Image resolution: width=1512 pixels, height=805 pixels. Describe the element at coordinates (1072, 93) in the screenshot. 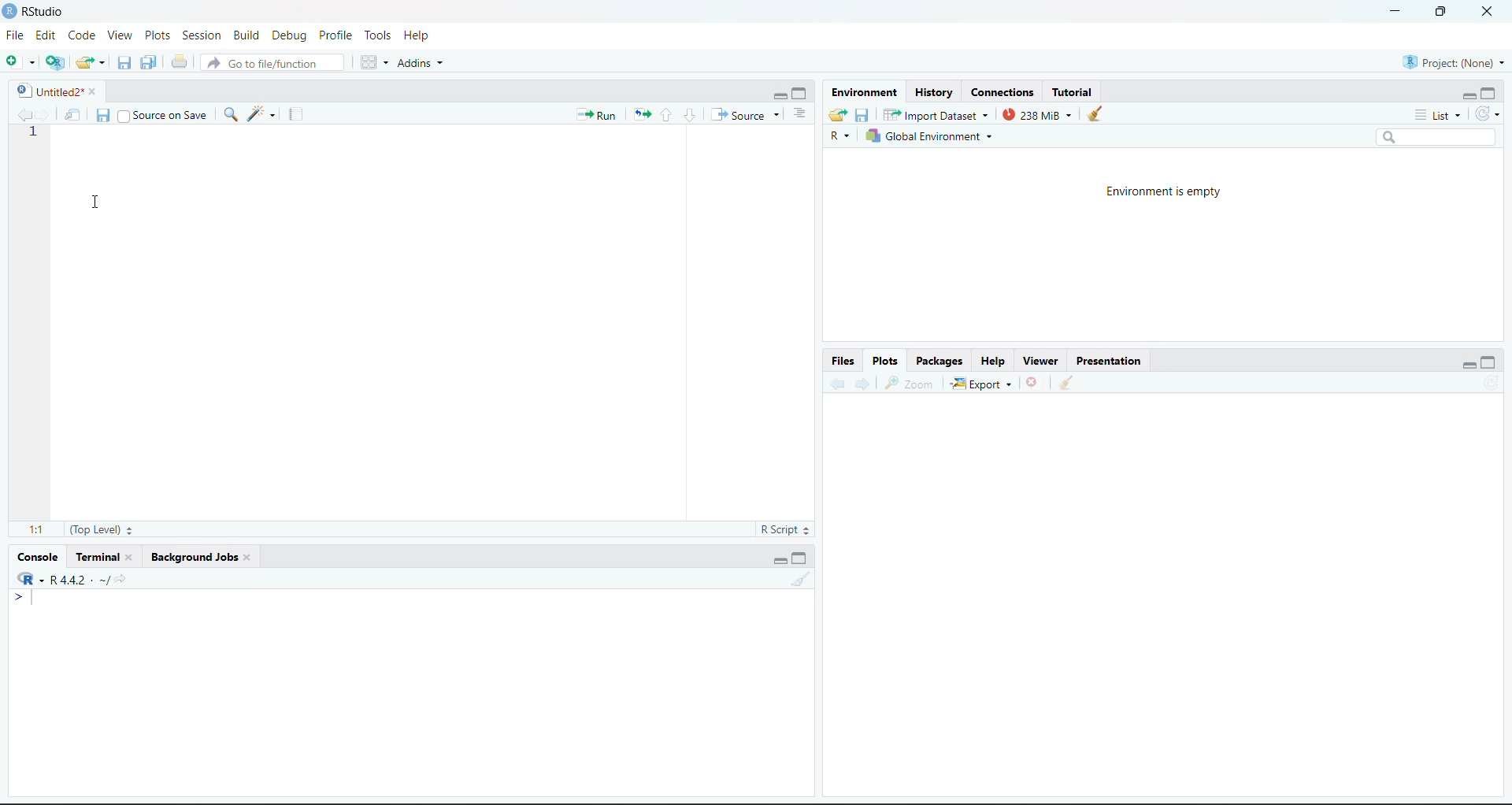

I see `Tutorial` at that location.